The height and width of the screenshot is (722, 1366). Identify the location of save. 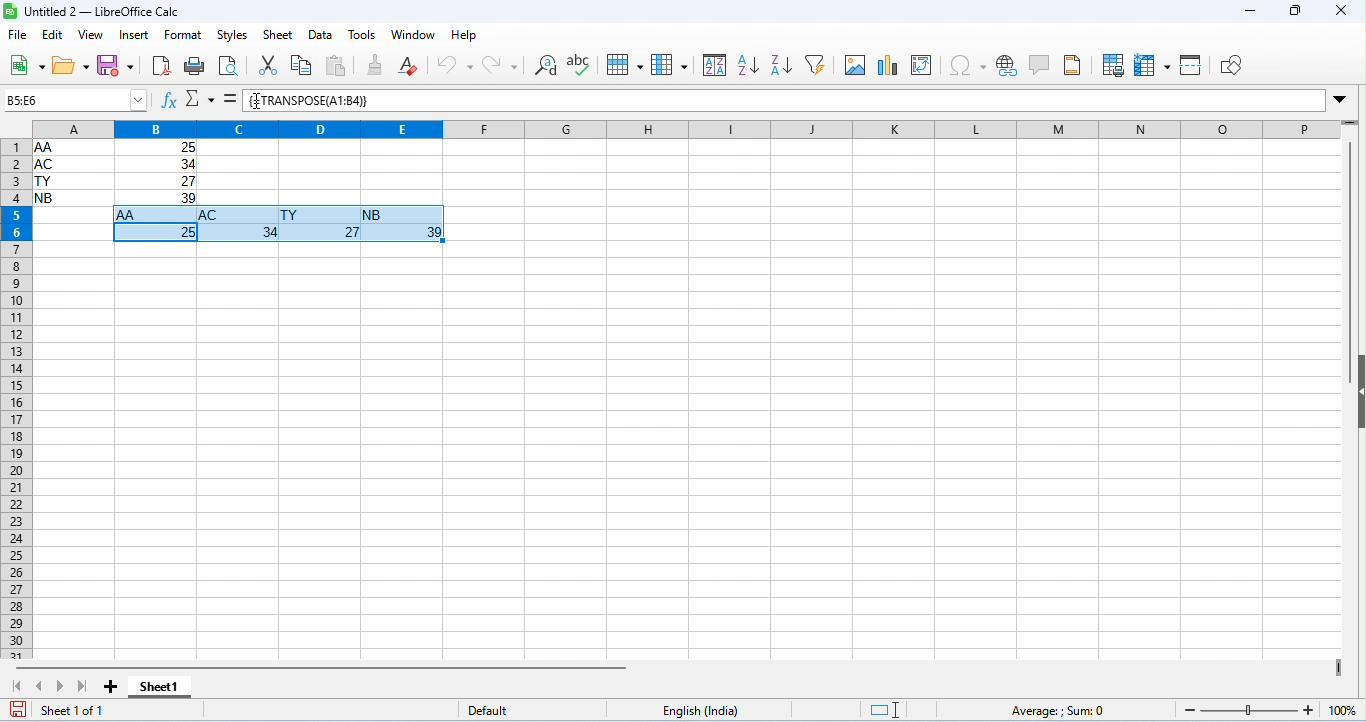
(116, 65).